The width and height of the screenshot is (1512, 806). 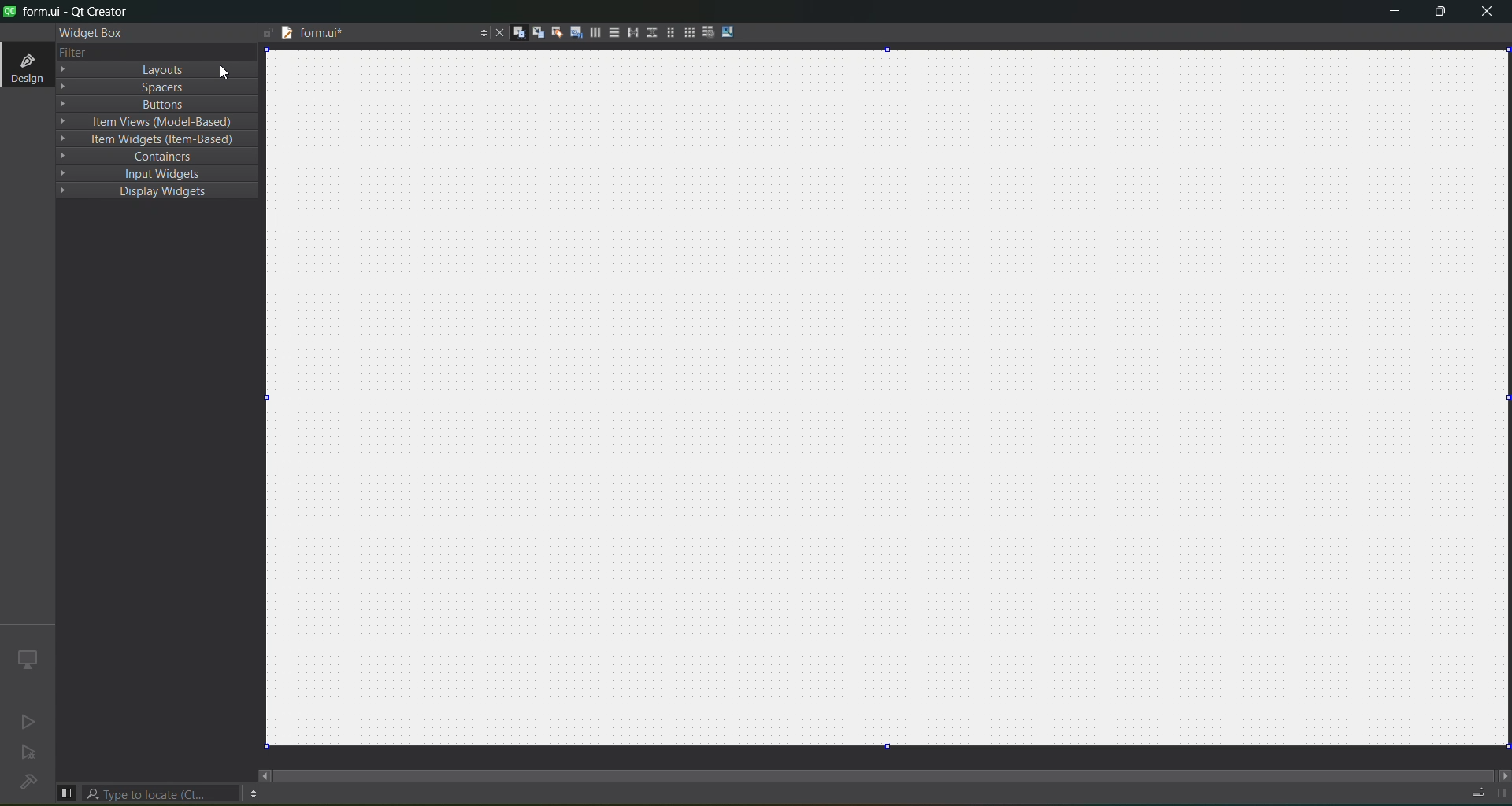 I want to click on minimize, so click(x=1389, y=13).